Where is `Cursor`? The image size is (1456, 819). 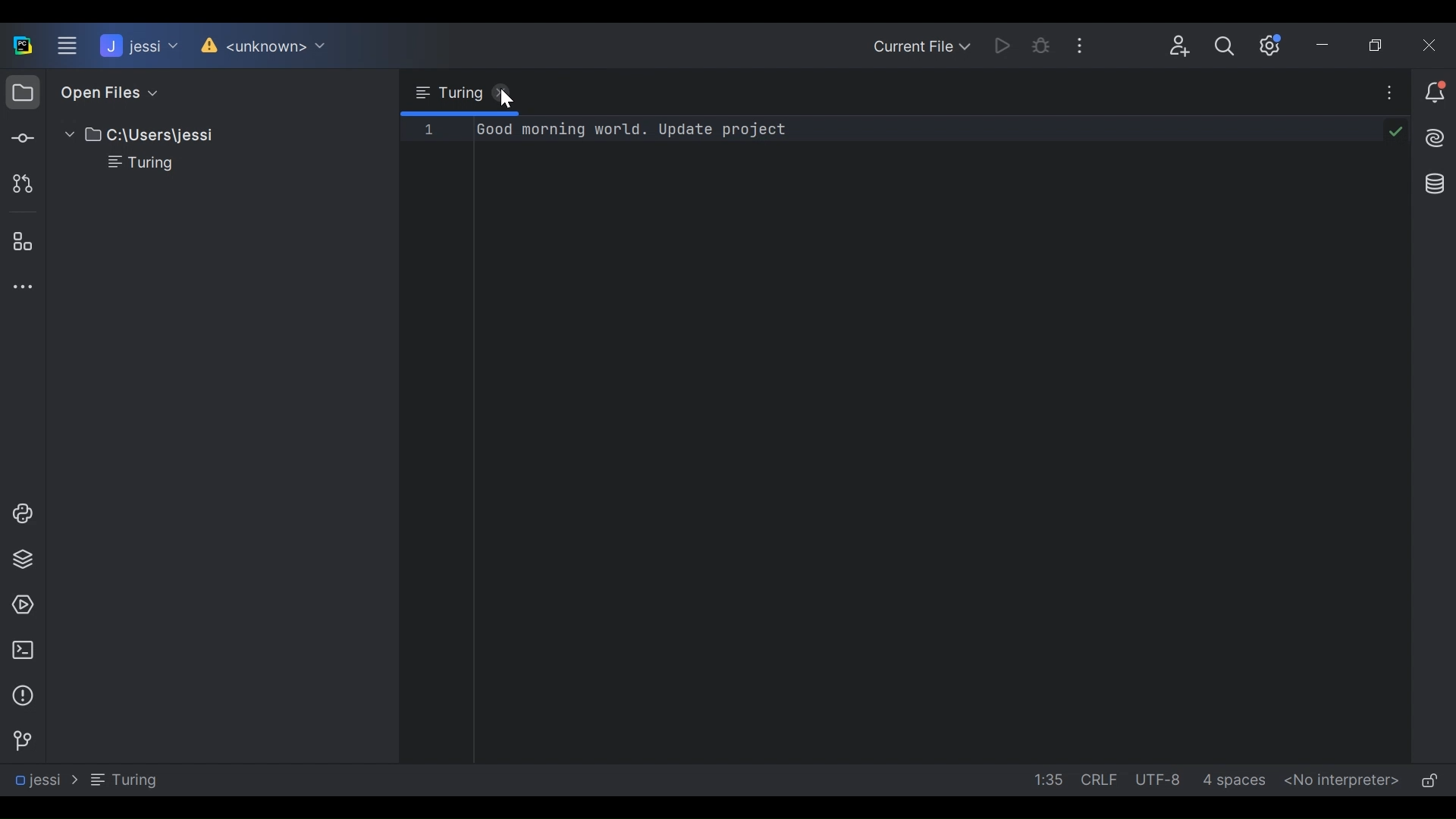 Cursor is located at coordinates (510, 97).